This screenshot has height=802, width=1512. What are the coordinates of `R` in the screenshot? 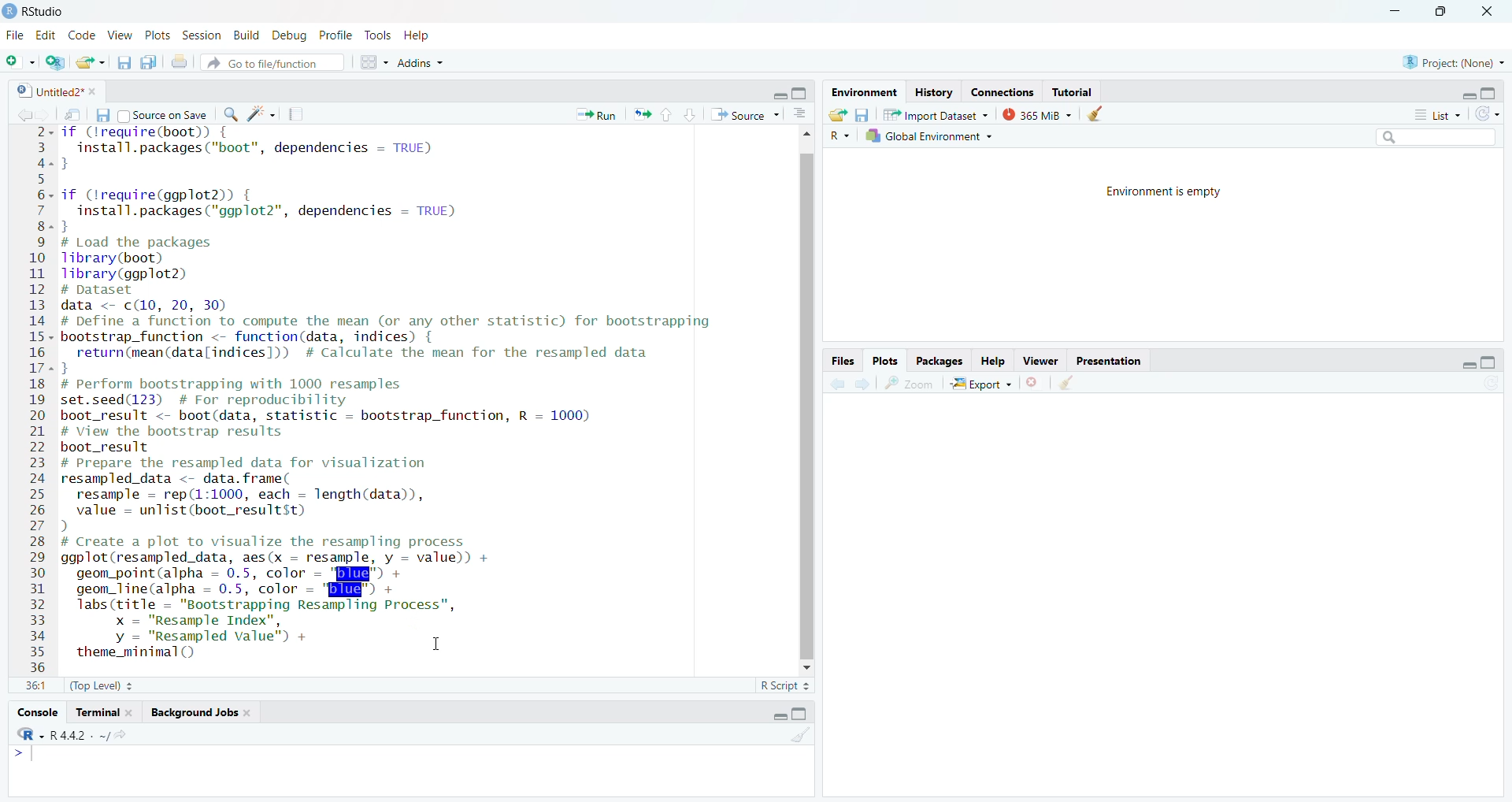 It's located at (839, 136).